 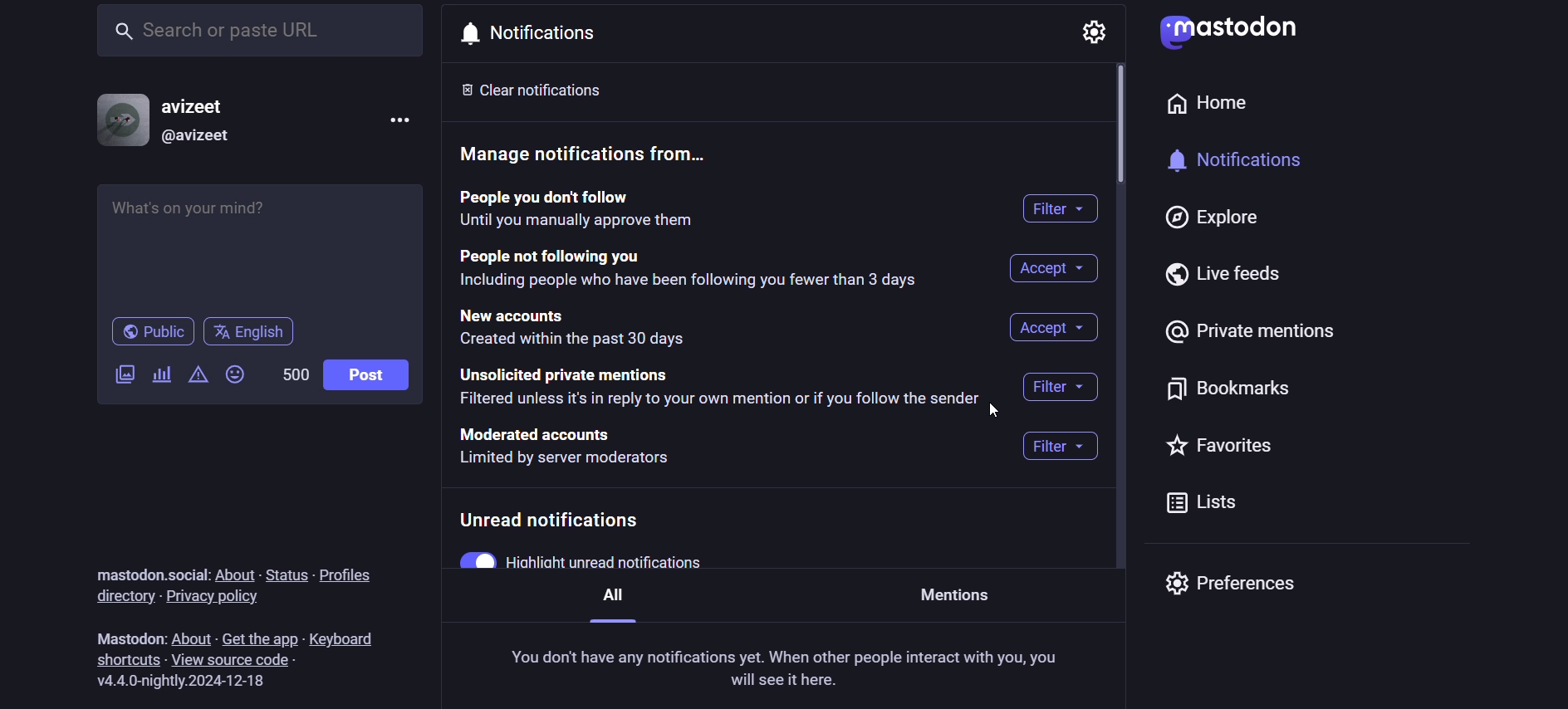 What do you see at coordinates (1117, 122) in the screenshot?
I see `scroll bar` at bounding box center [1117, 122].